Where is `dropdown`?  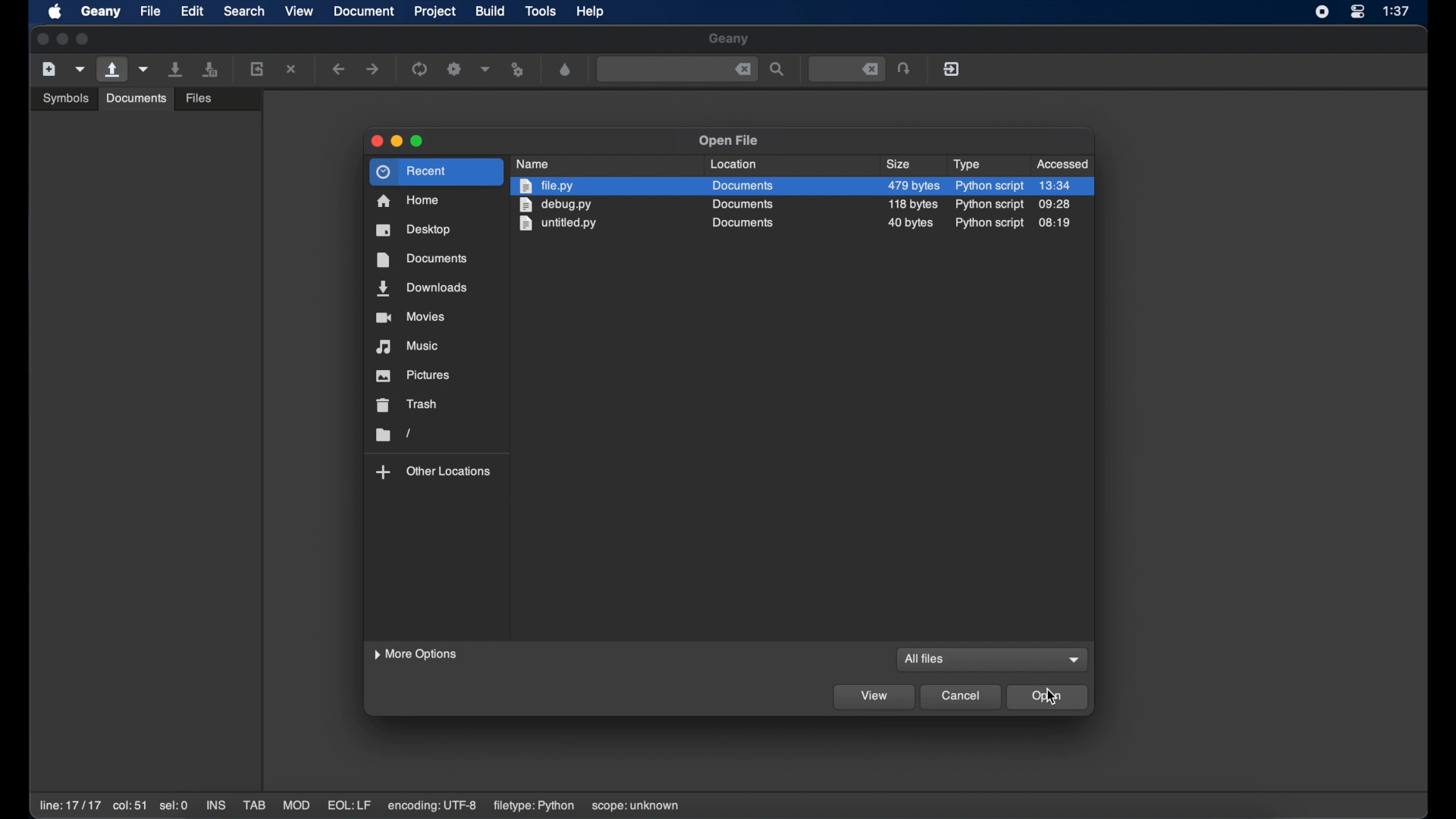
dropdown is located at coordinates (1075, 660).